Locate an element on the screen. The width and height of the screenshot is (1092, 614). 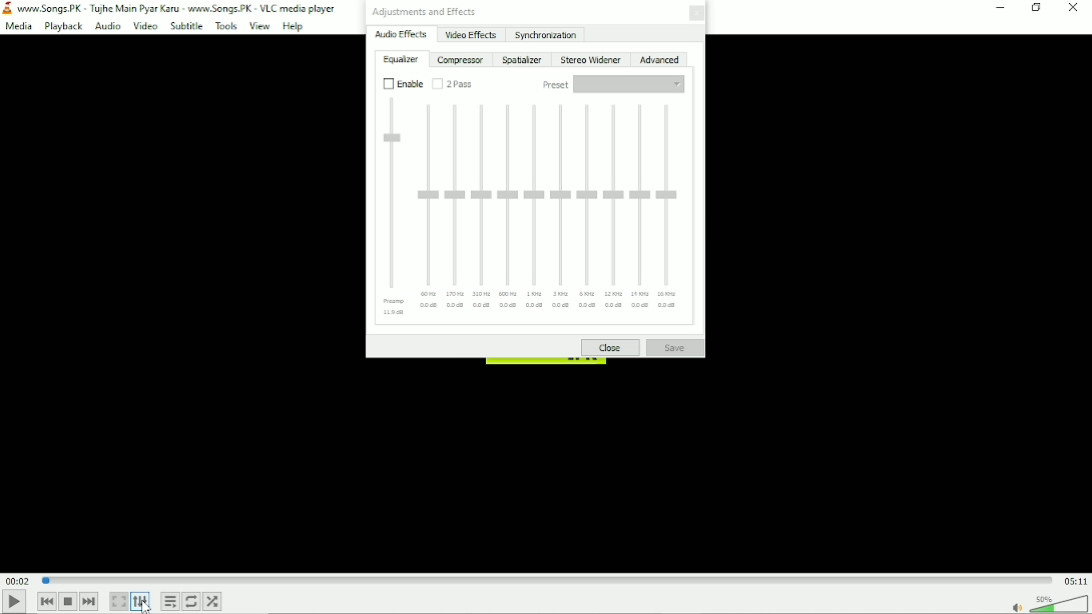
Synchronization is located at coordinates (543, 33).